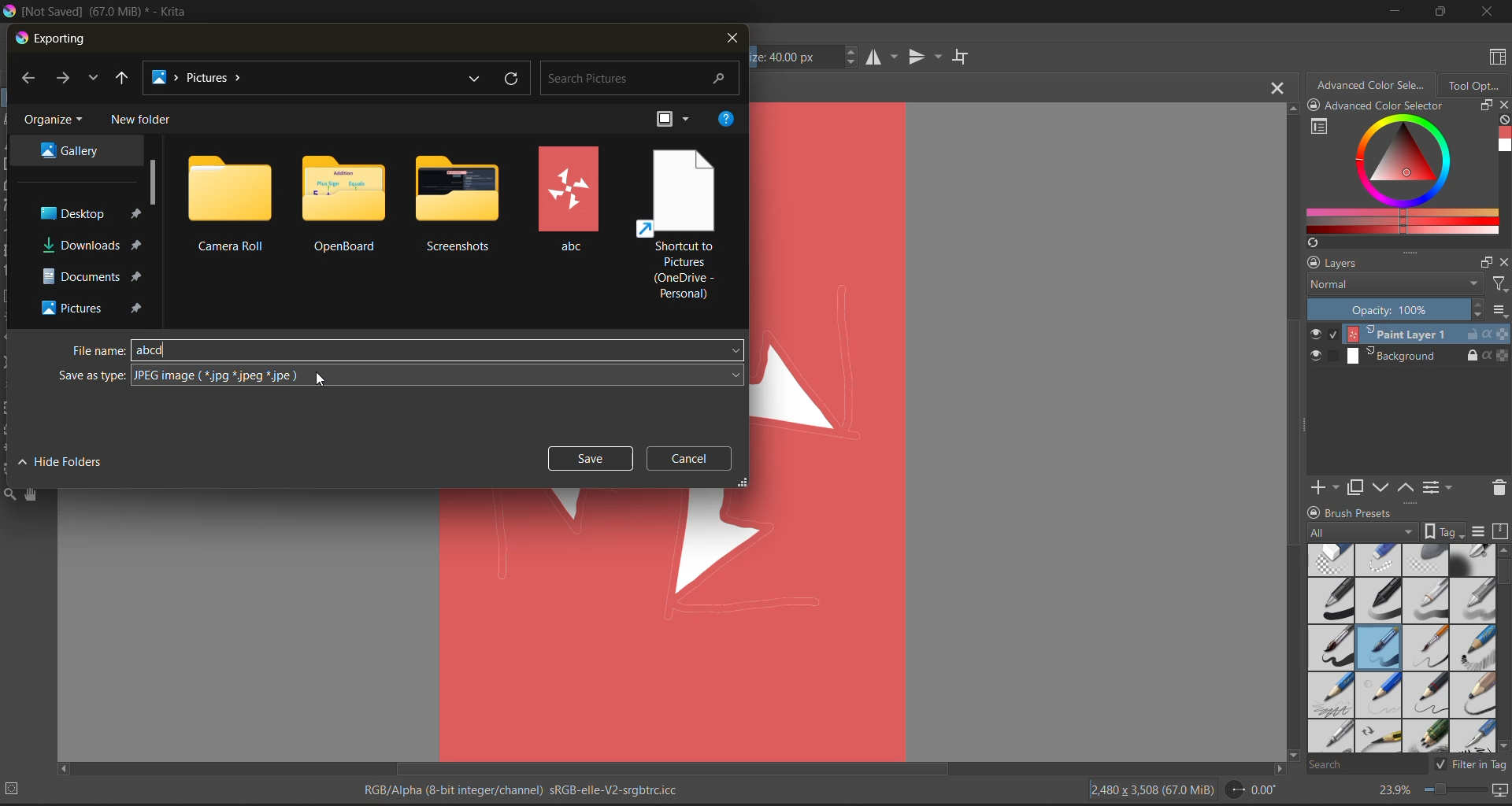 The image size is (1512, 806). I want to click on horizontal scroll bar, so click(1503, 574).